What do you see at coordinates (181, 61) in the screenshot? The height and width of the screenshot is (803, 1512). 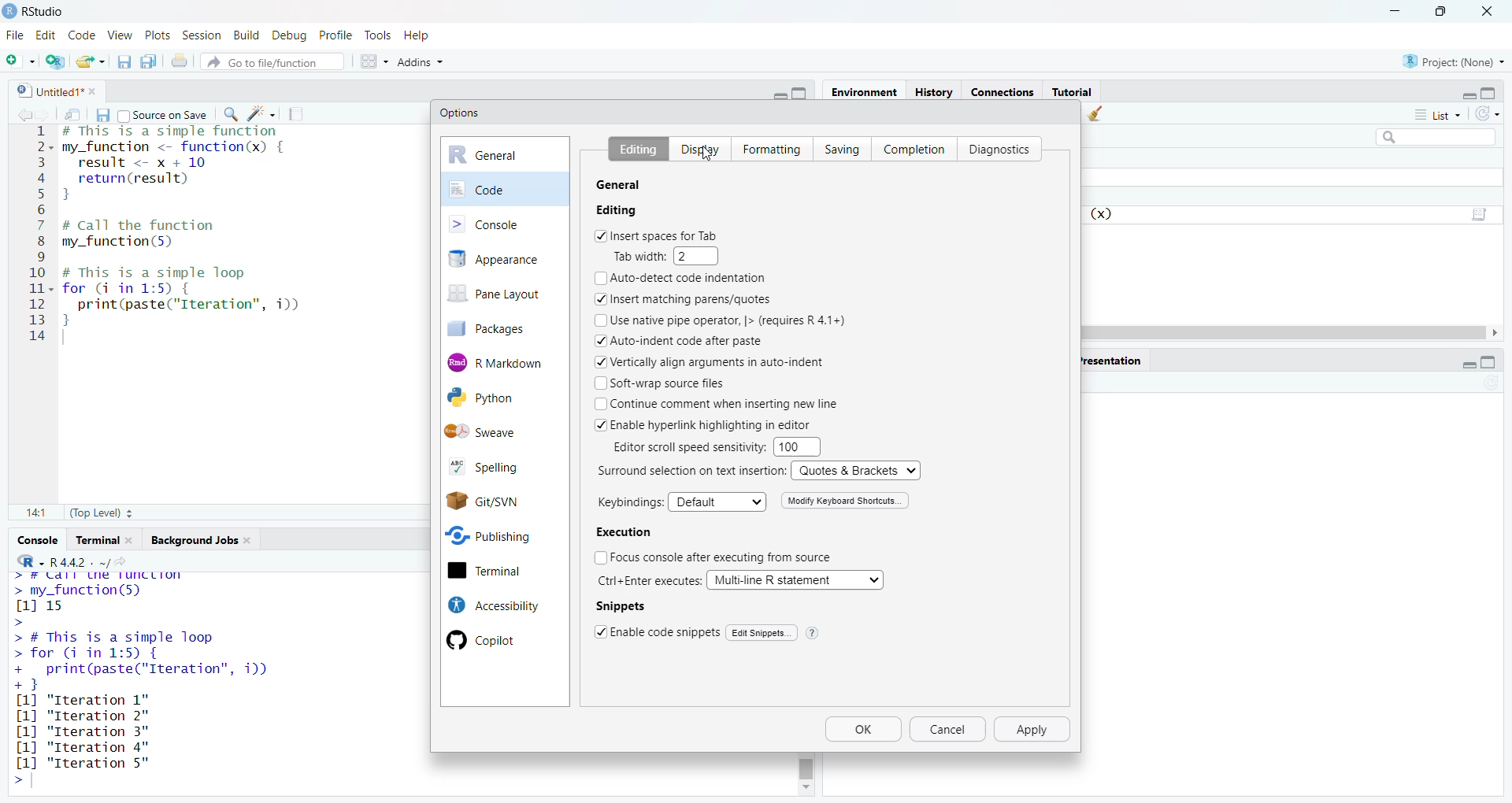 I see `print the current file` at bounding box center [181, 61].